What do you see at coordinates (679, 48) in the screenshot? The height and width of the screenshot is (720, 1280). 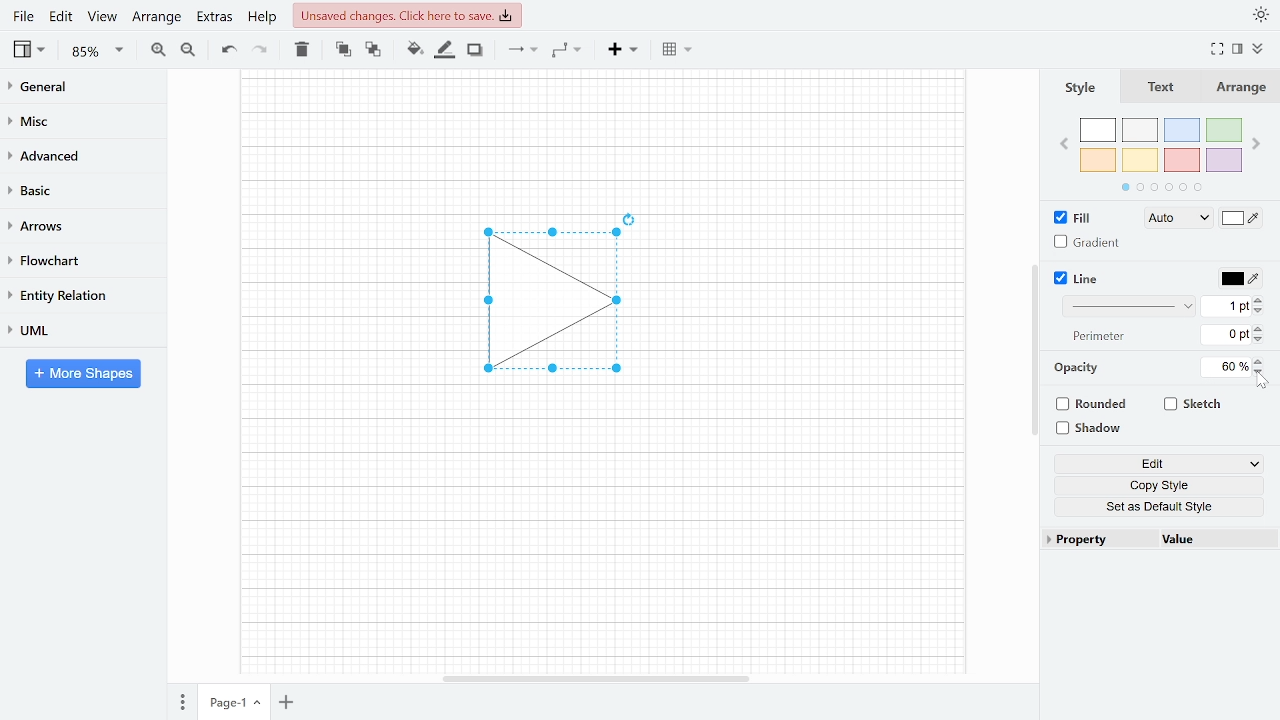 I see `Table` at bounding box center [679, 48].